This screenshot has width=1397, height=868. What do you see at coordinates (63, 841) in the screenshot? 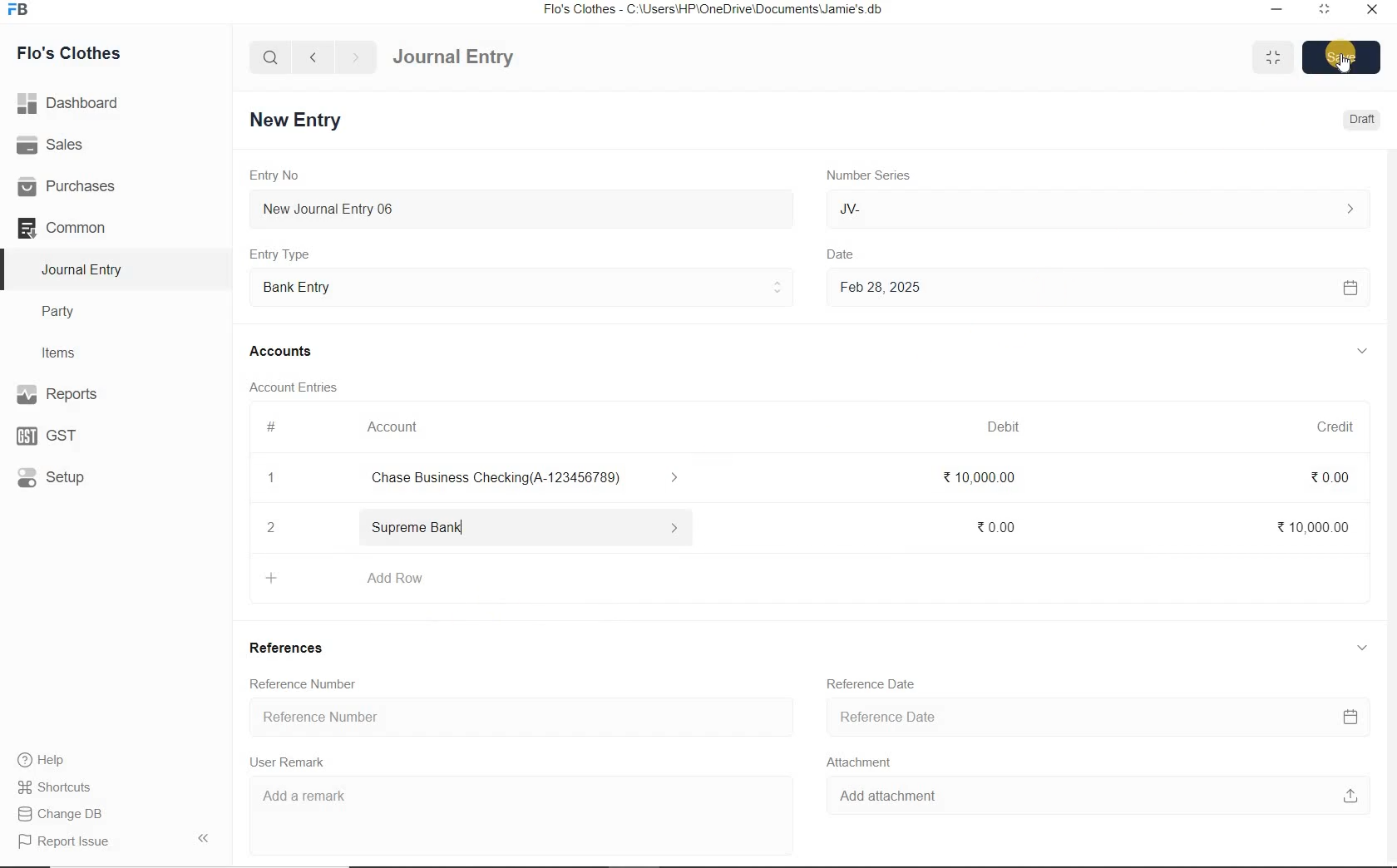
I see `Report Issue` at bounding box center [63, 841].